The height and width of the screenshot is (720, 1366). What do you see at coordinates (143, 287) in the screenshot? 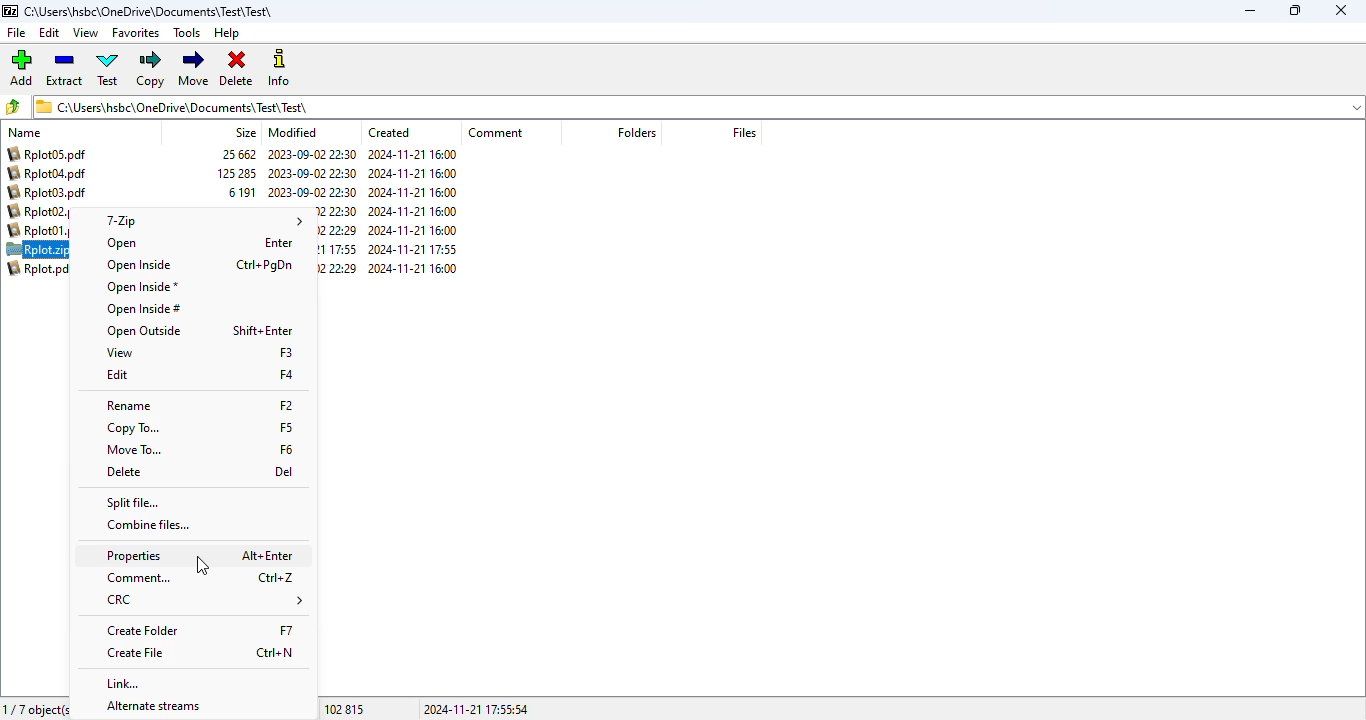
I see `open inside*` at bounding box center [143, 287].